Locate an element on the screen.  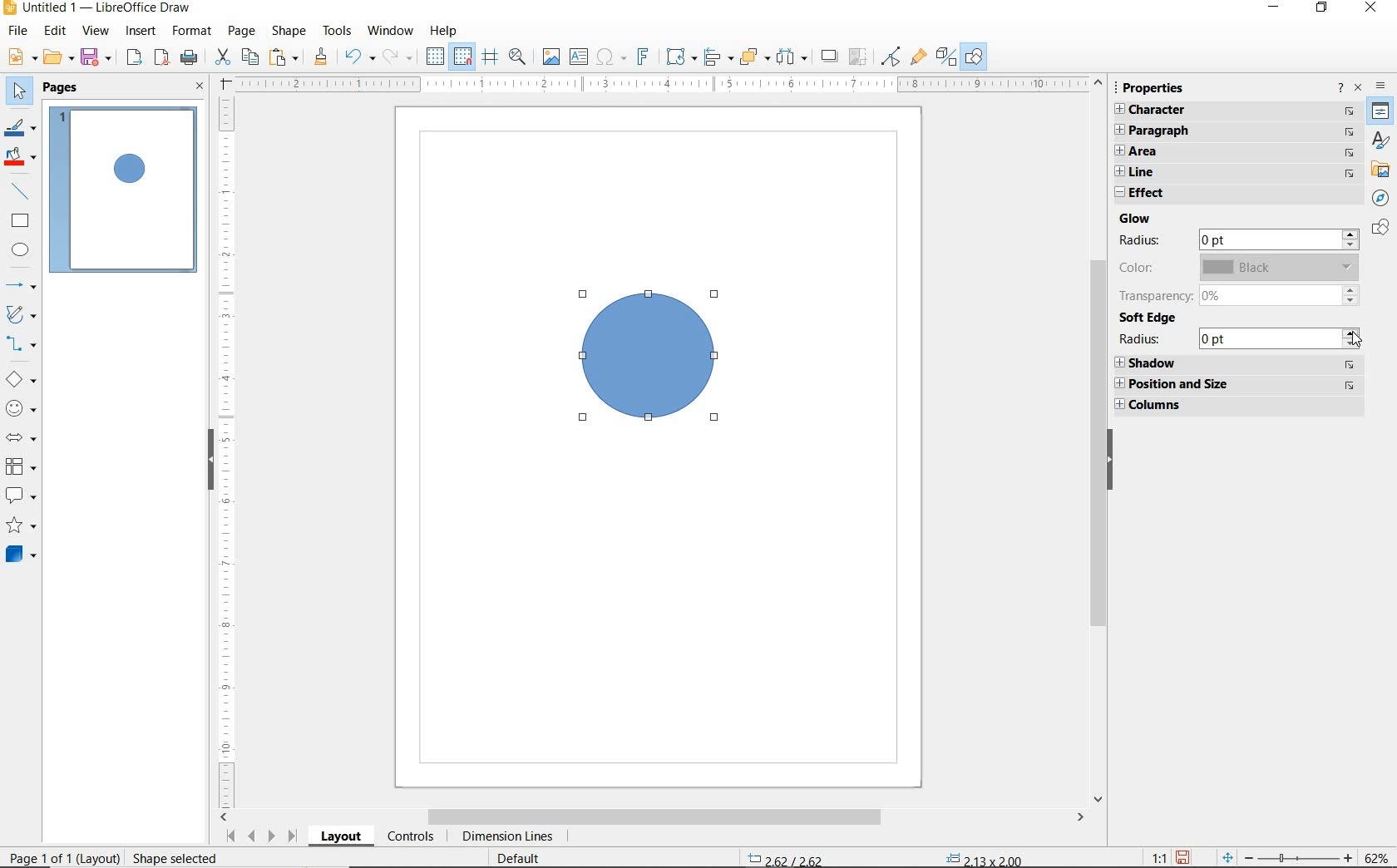
Untitled 1 — LibreOffice Draw is located at coordinates (96, 9).